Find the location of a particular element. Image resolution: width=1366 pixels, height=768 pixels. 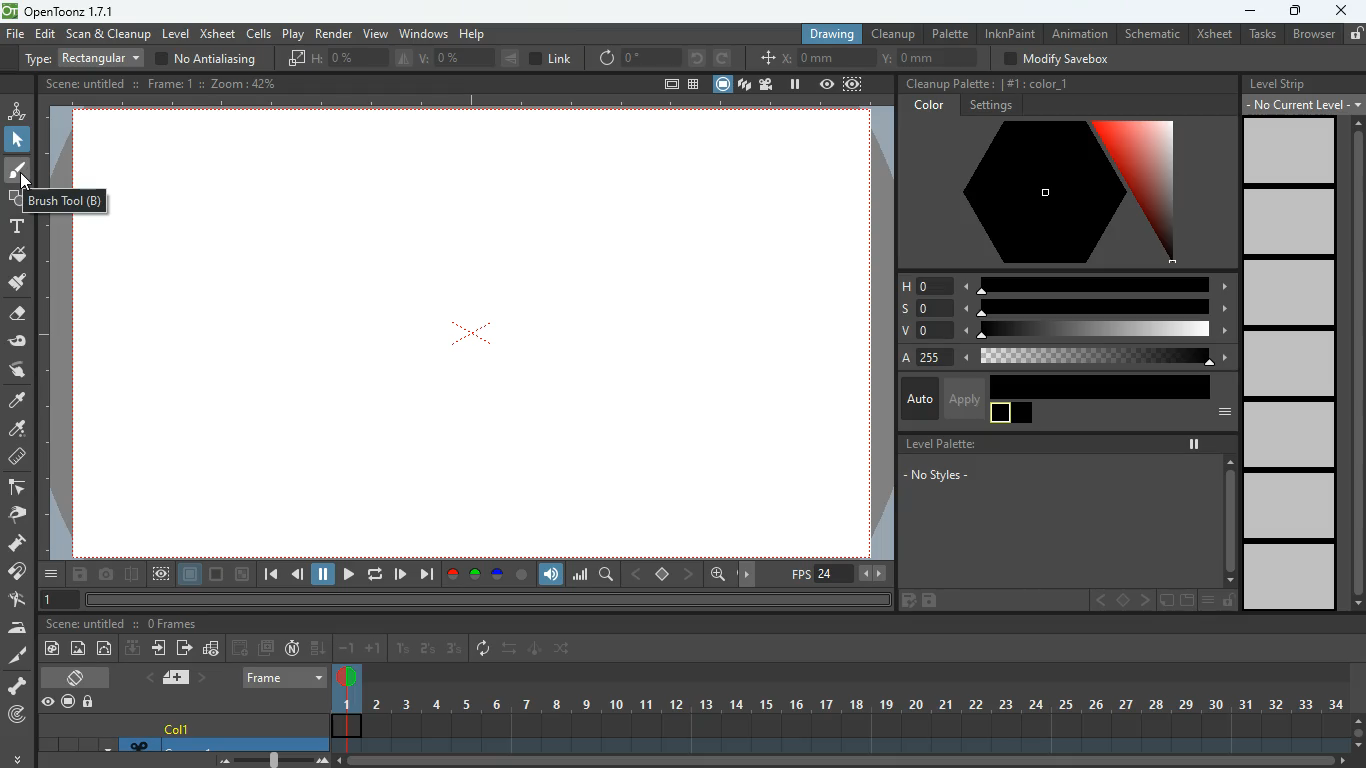

forward is located at coordinates (722, 58).